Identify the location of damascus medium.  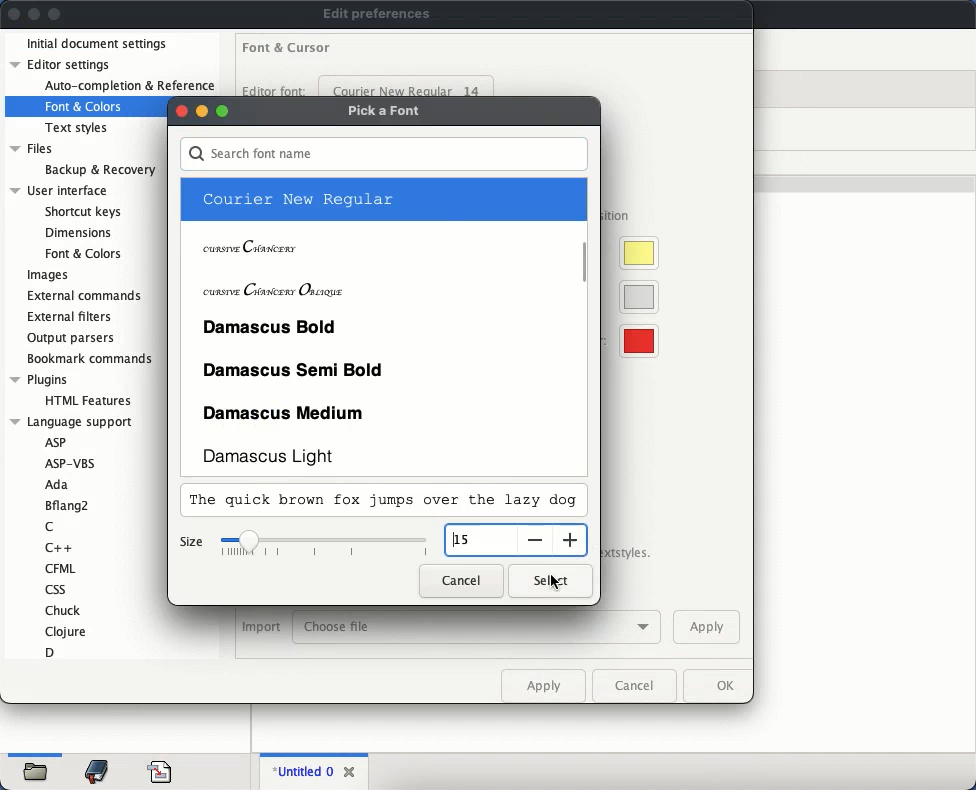
(383, 410).